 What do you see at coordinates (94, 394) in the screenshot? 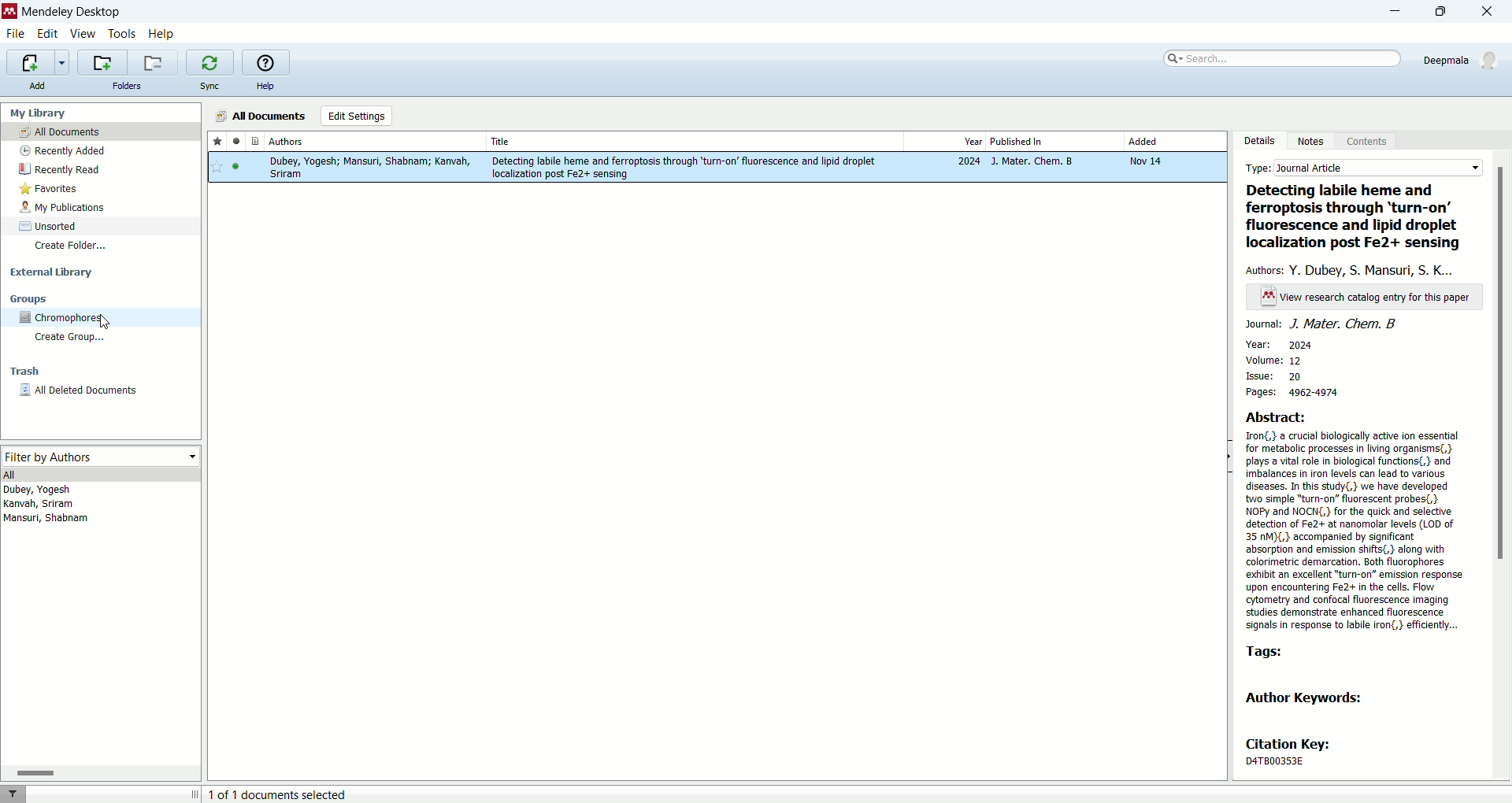
I see `all deleted documents` at bounding box center [94, 394].